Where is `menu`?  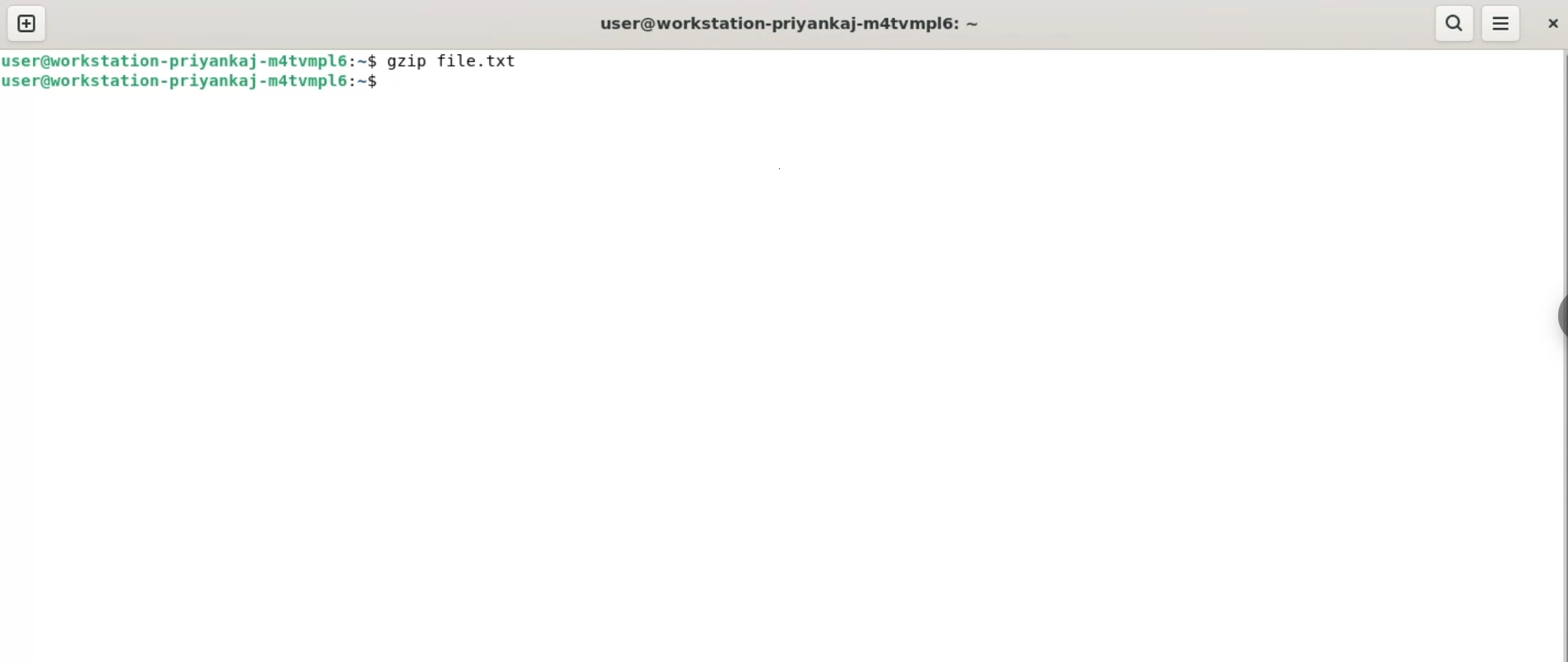
menu is located at coordinates (1501, 23).